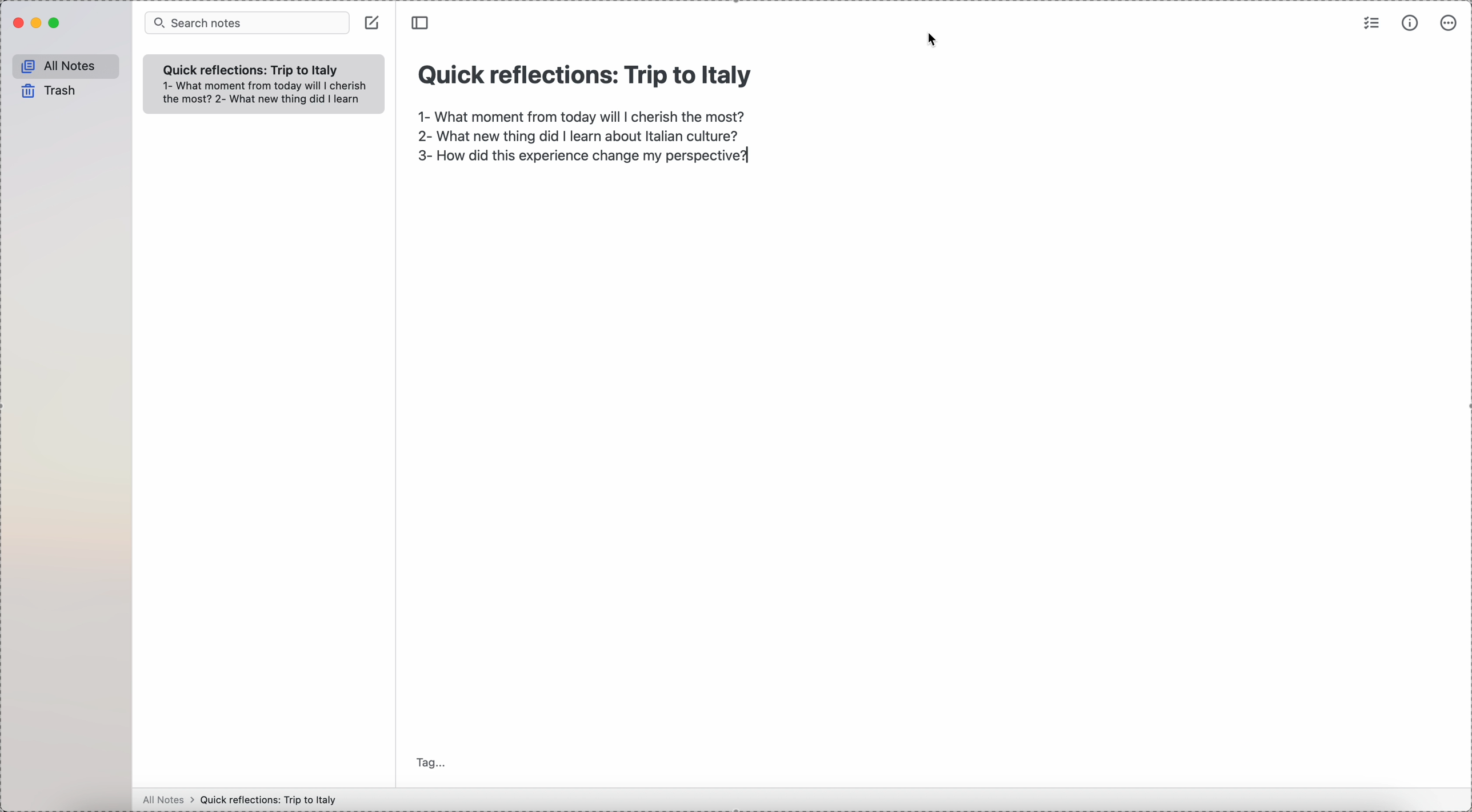  What do you see at coordinates (38, 24) in the screenshot?
I see `minimize` at bounding box center [38, 24].